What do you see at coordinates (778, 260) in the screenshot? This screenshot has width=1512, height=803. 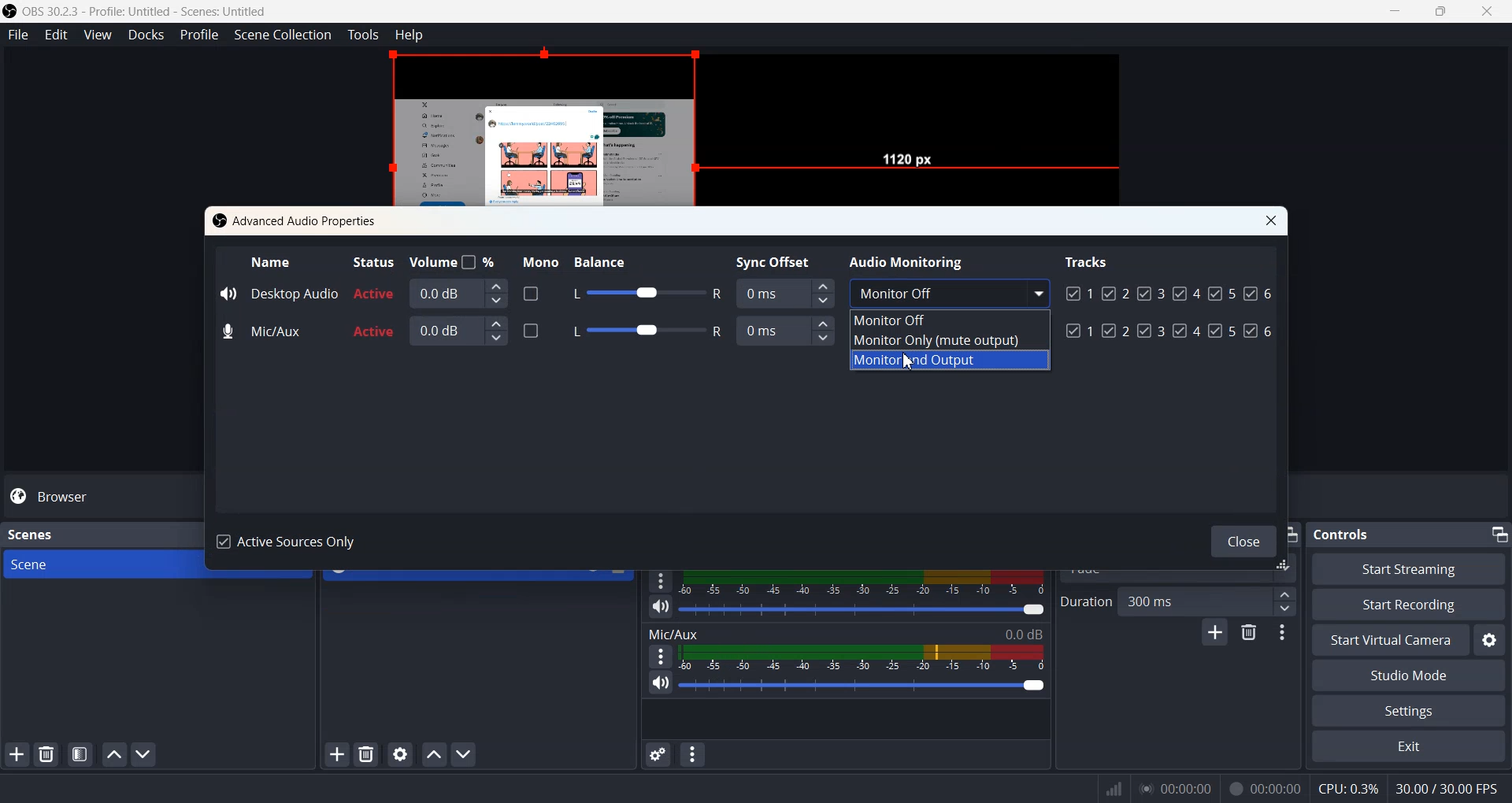 I see `Sync Offset` at bounding box center [778, 260].